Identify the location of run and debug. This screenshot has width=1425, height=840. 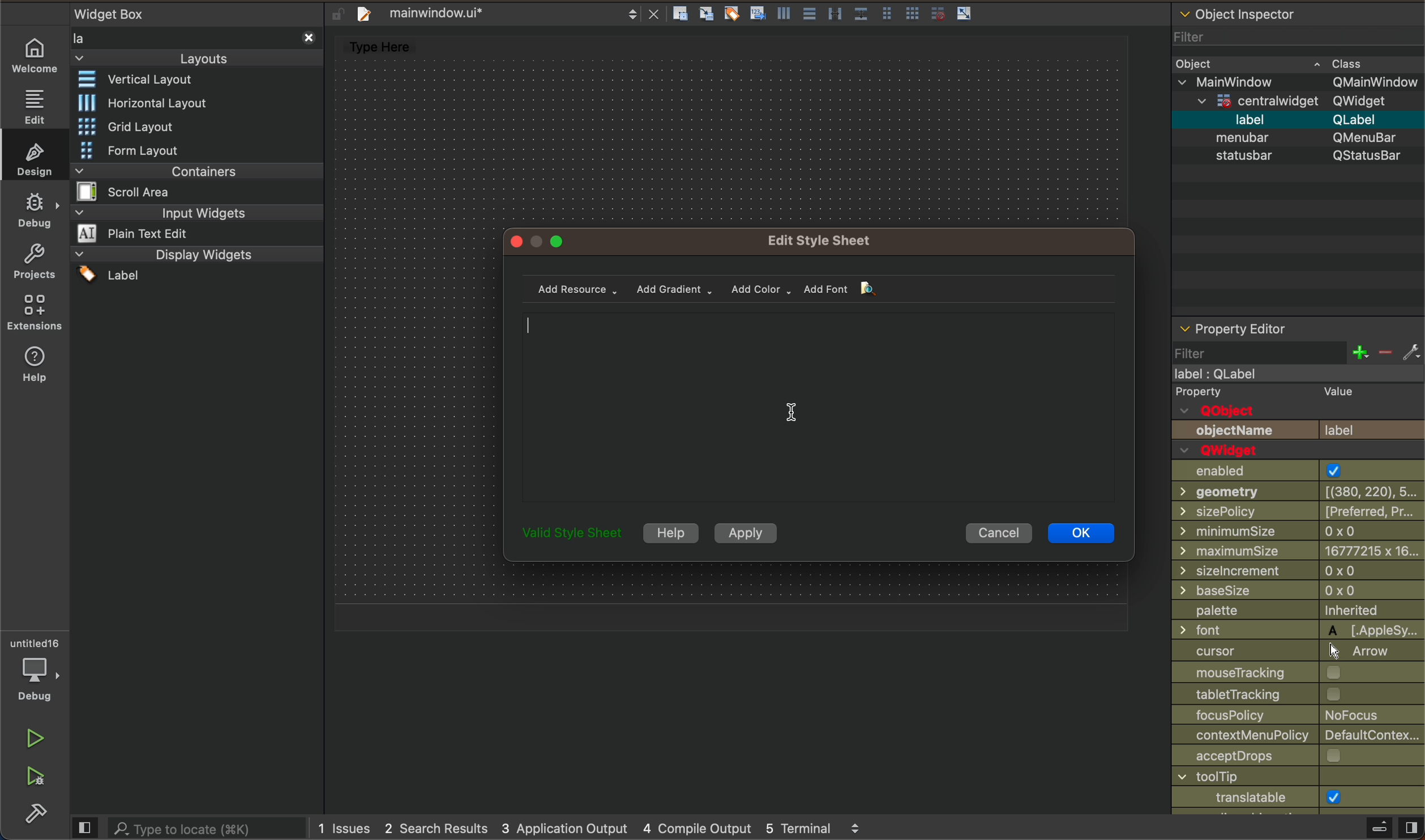
(37, 778).